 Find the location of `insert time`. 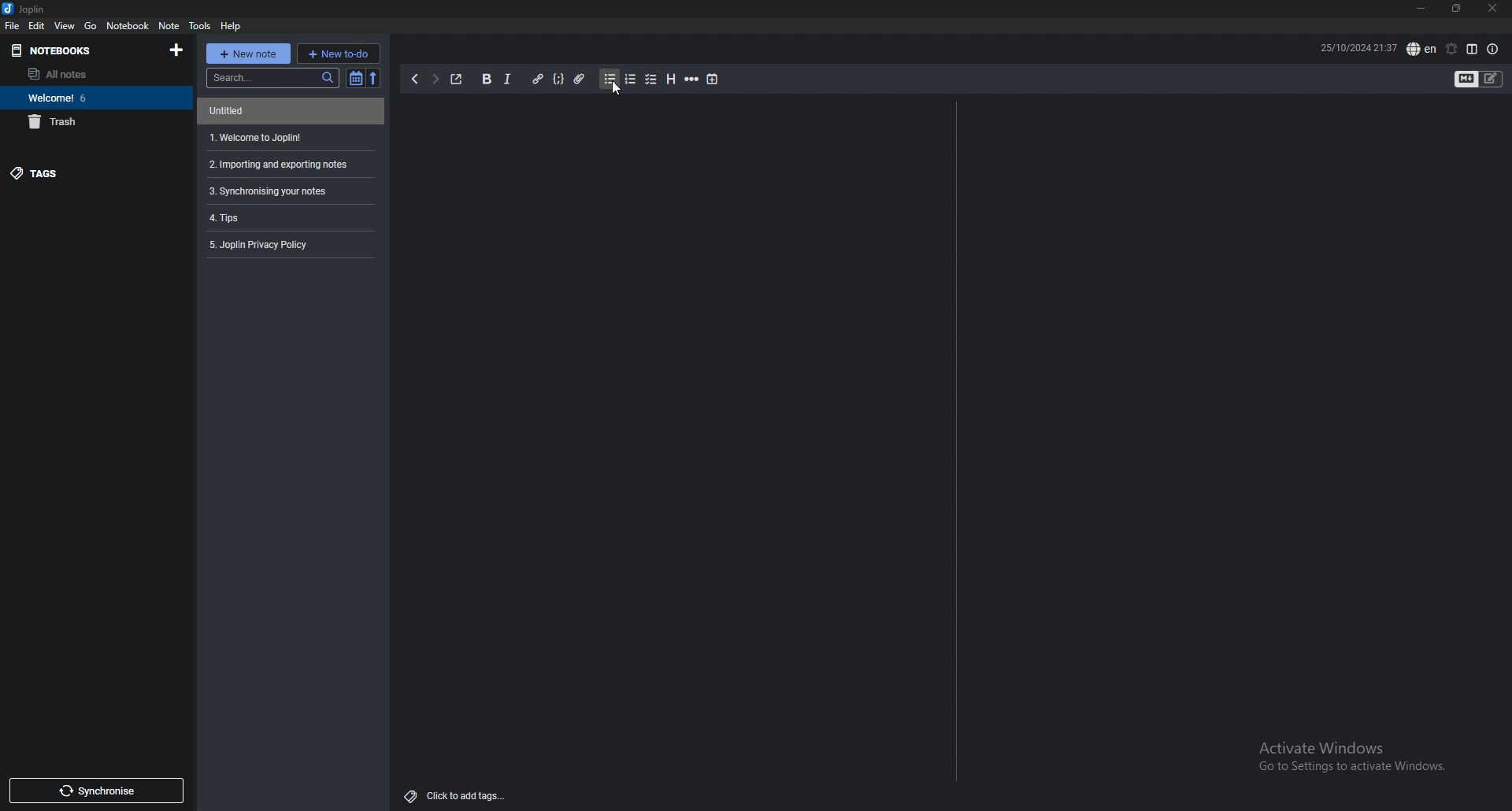

insert time is located at coordinates (715, 81).